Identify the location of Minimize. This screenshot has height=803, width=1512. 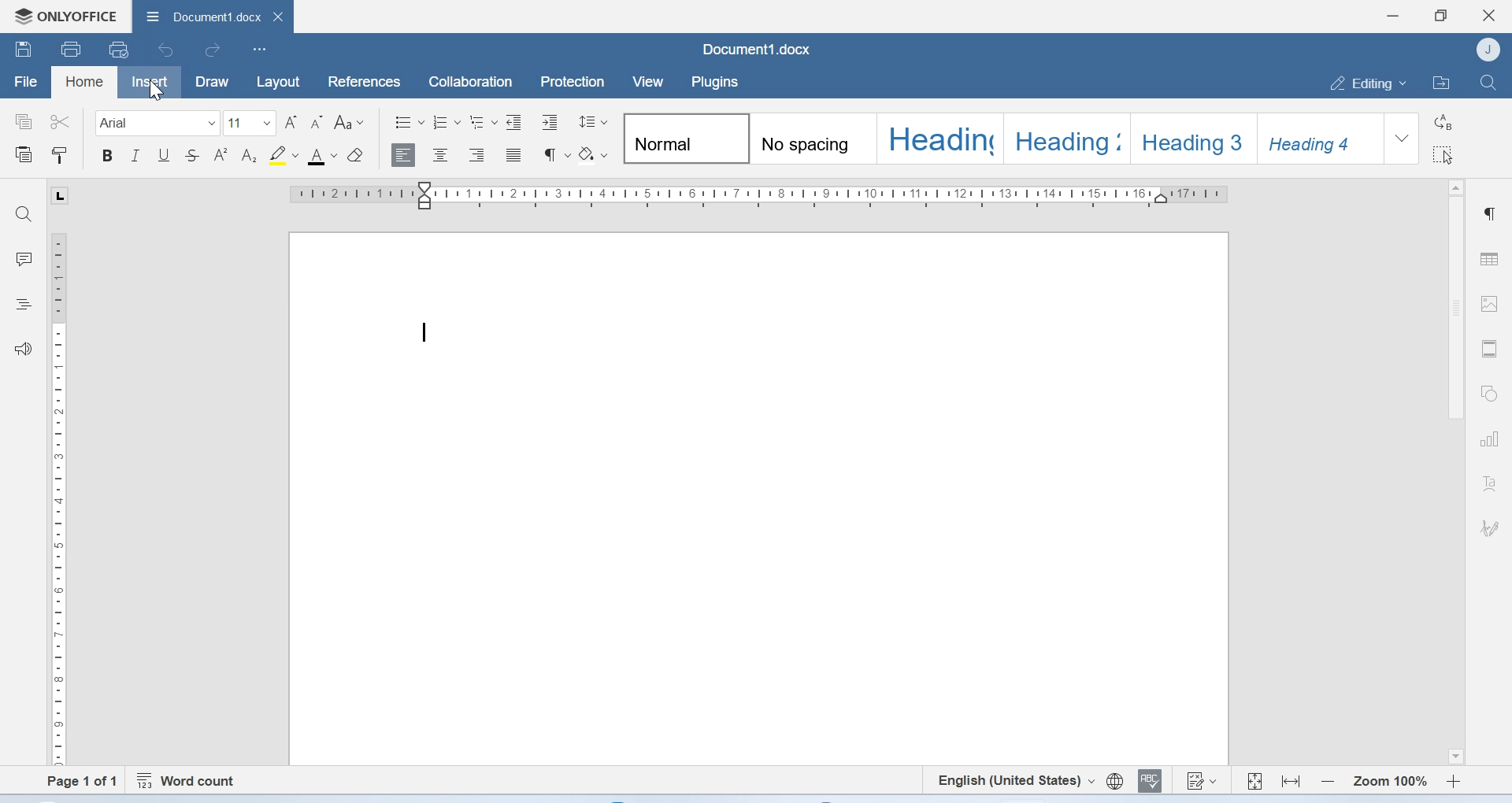
(1393, 16).